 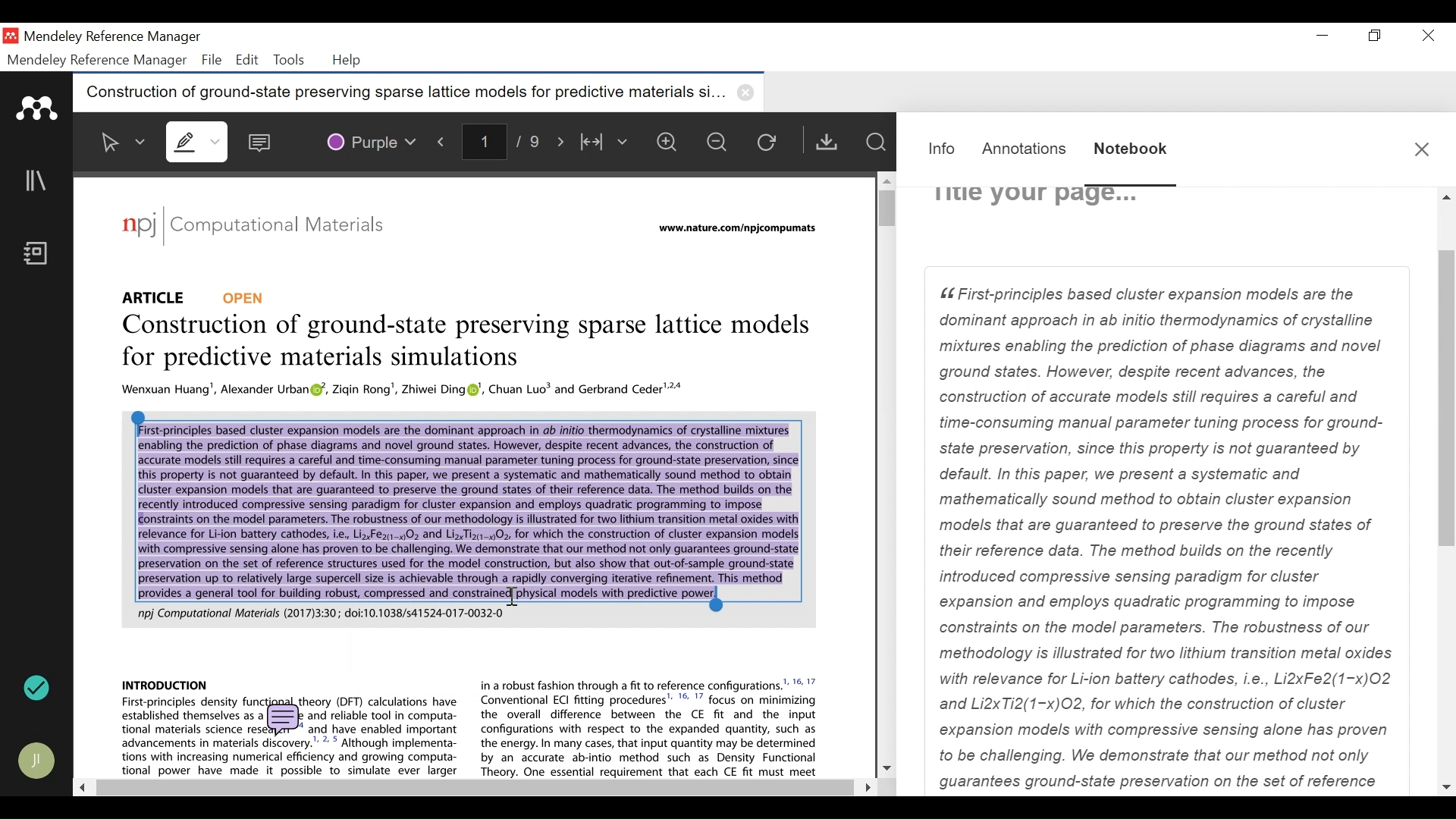 I want to click on Page, so click(x=1167, y=532).